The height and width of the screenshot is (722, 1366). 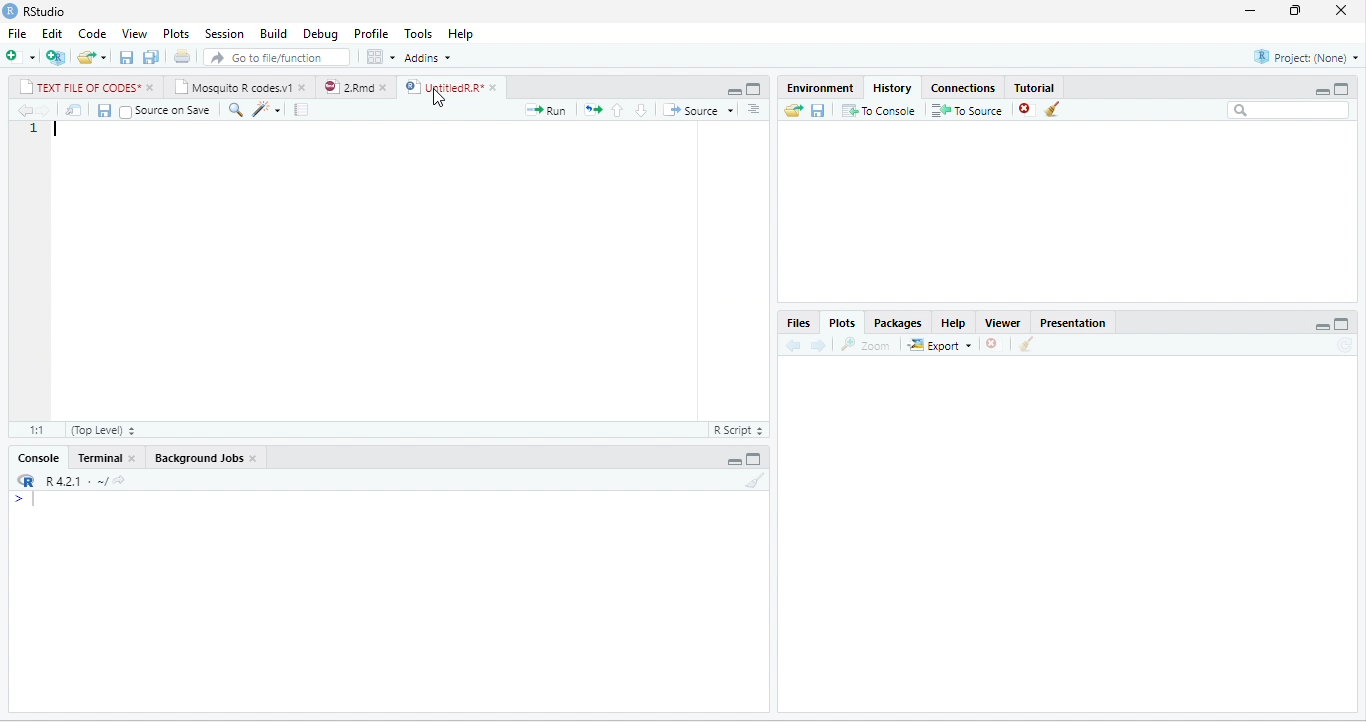 What do you see at coordinates (963, 88) in the screenshot?
I see `Connections` at bounding box center [963, 88].